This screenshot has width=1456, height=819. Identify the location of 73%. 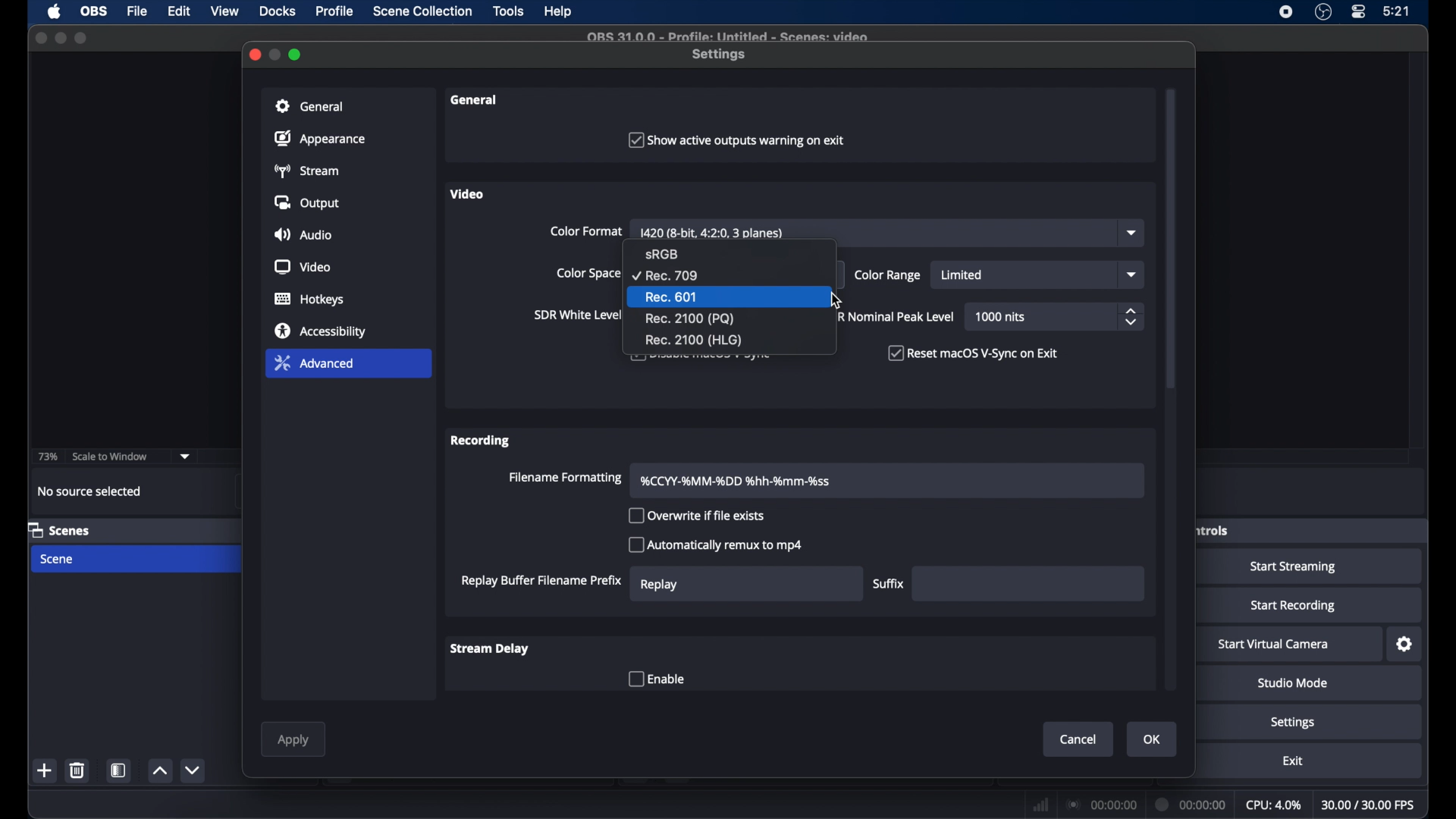
(47, 457).